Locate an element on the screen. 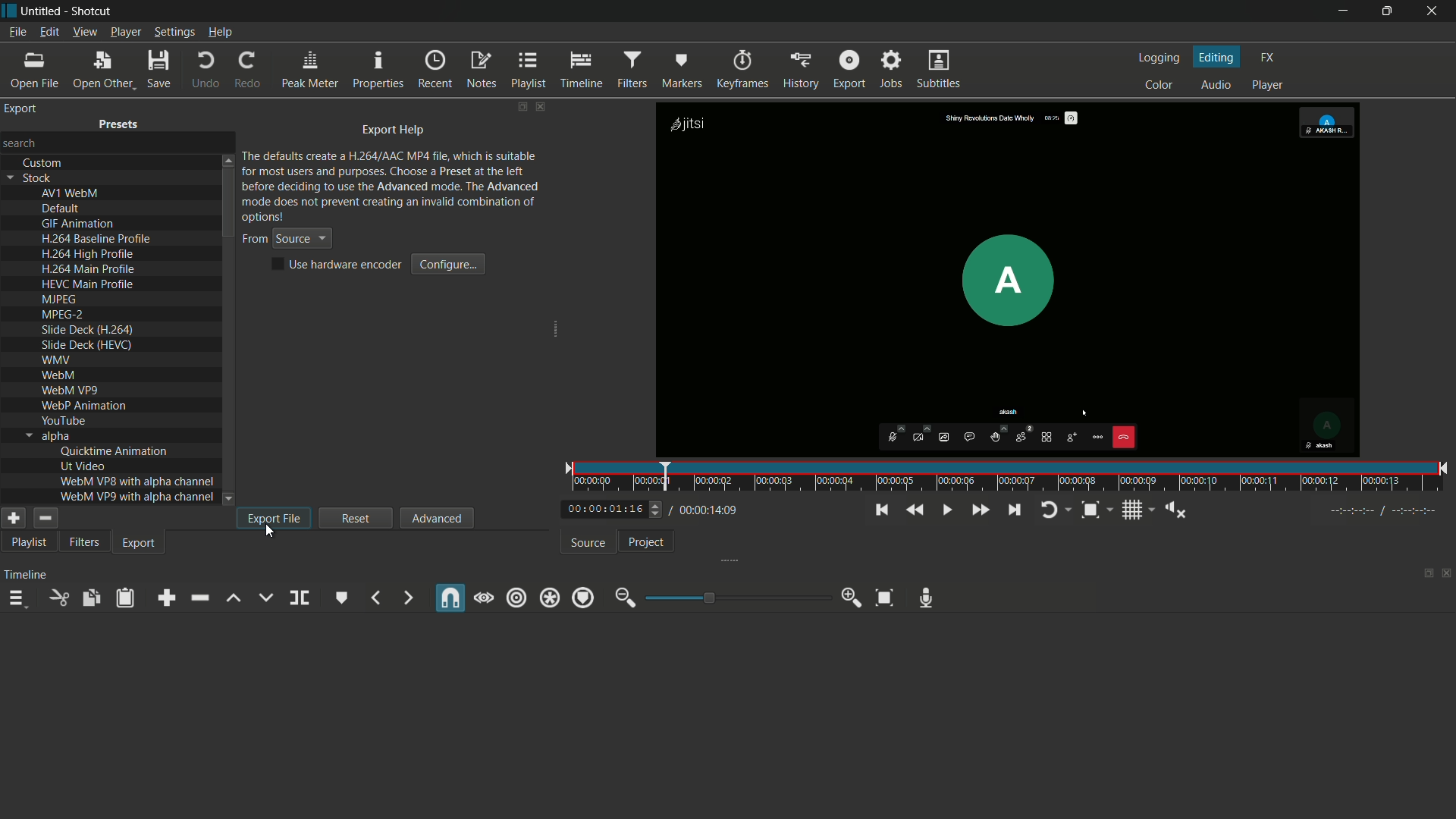 The width and height of the screenshot is (1456, 819). ripple all tracks is located at coordinates (551, 598).